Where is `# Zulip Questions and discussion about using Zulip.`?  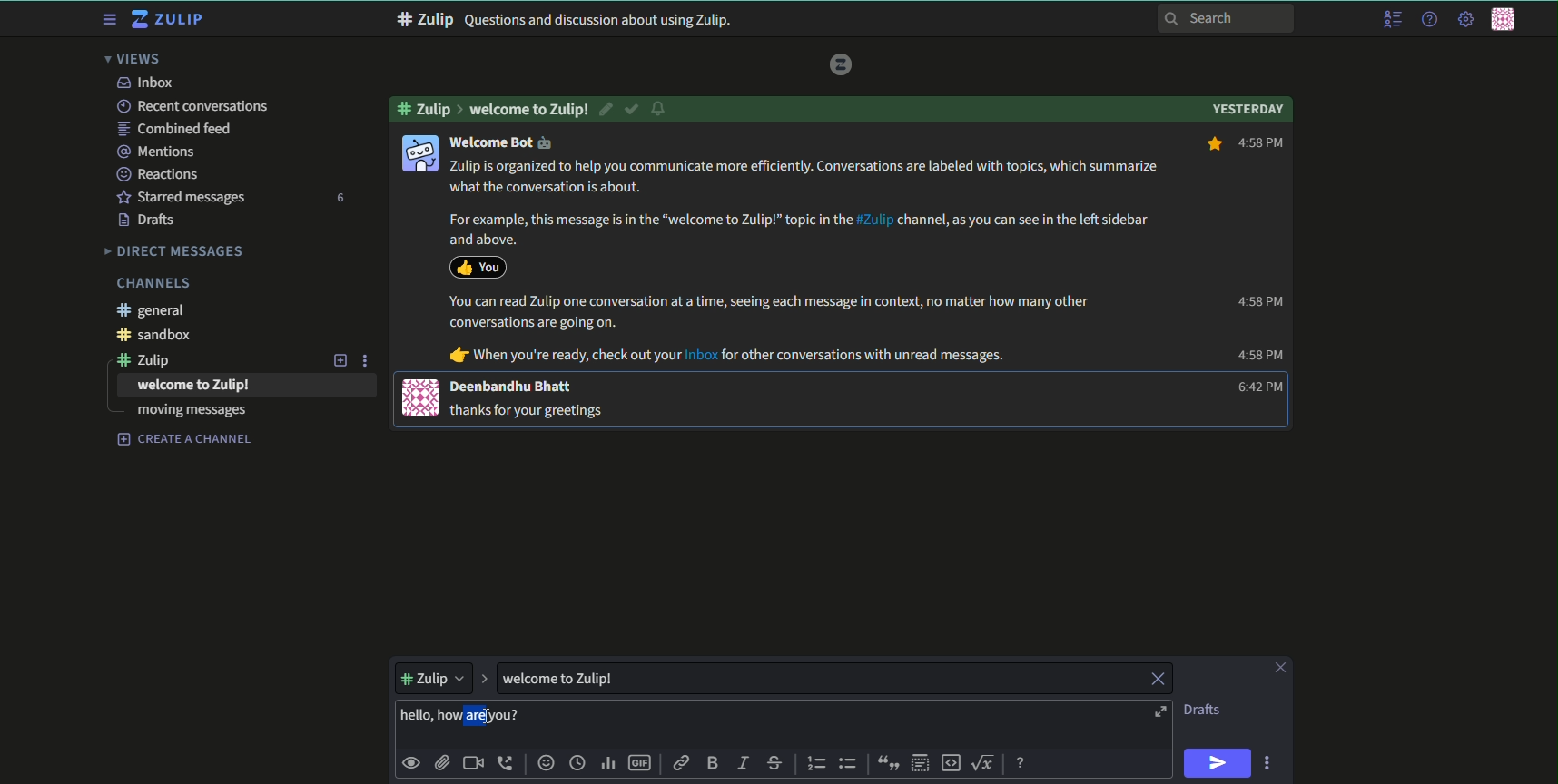
# Zulip Questions and discussion about using Zulip. is located at coordinates (565, 20).